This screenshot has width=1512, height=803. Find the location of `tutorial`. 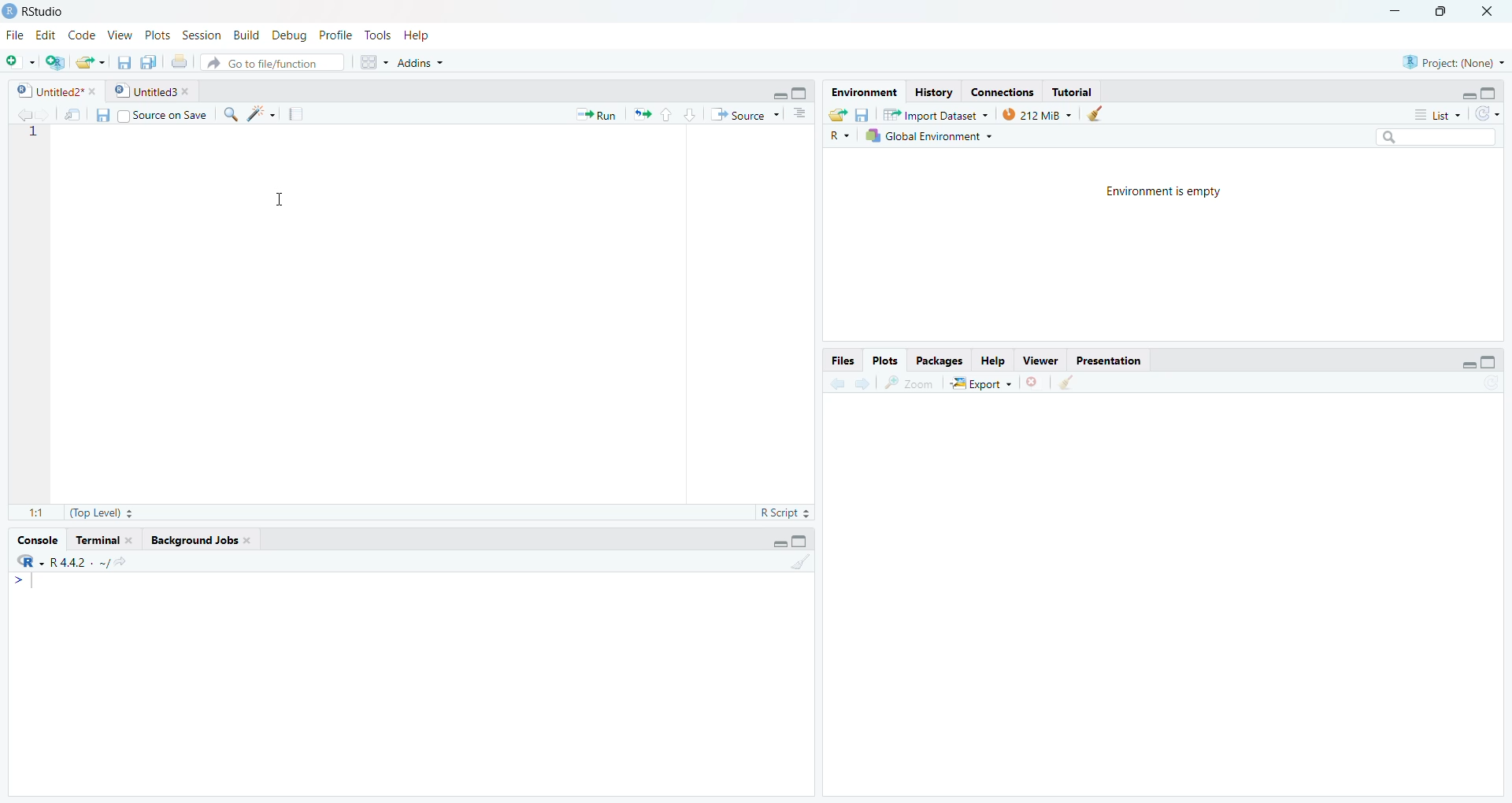

tutorial is located at coordinates (1074, 90).